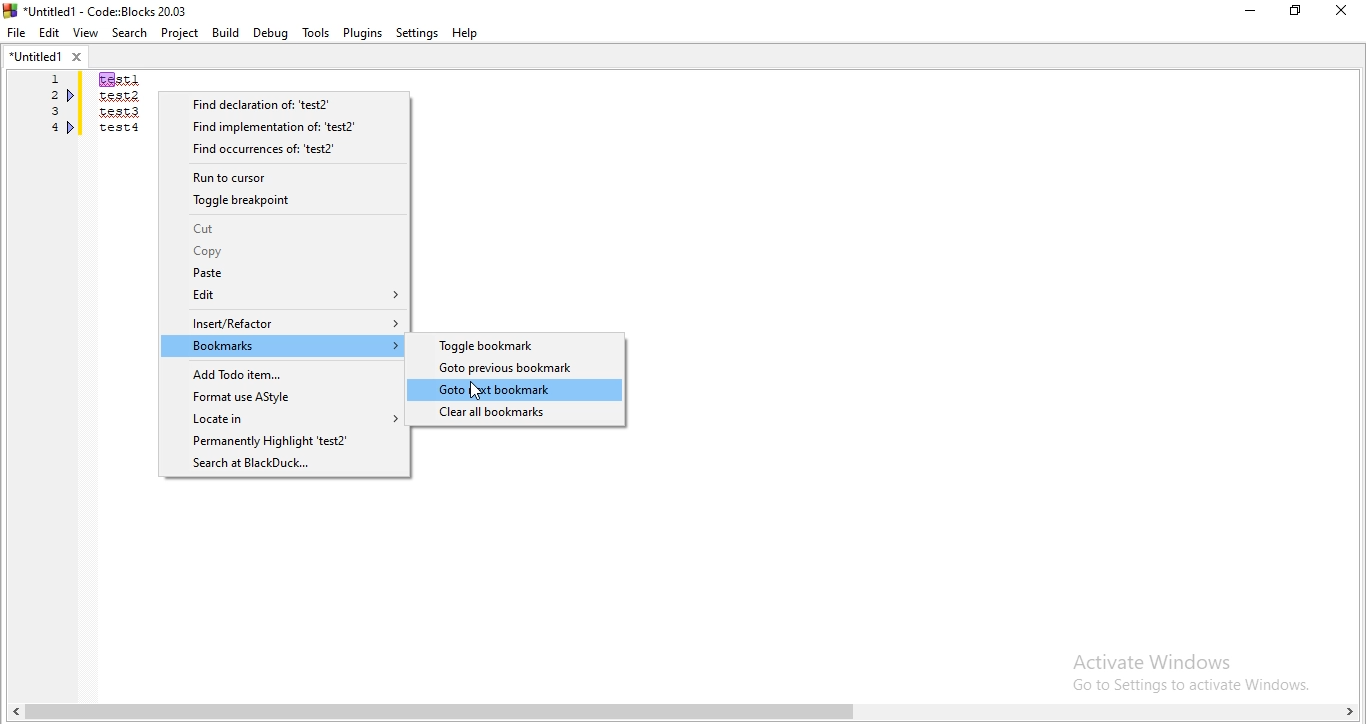 The height and width of the screenshot is (724, 1366). I want to click on Find declaration of: "test2" , so click(287, 104).